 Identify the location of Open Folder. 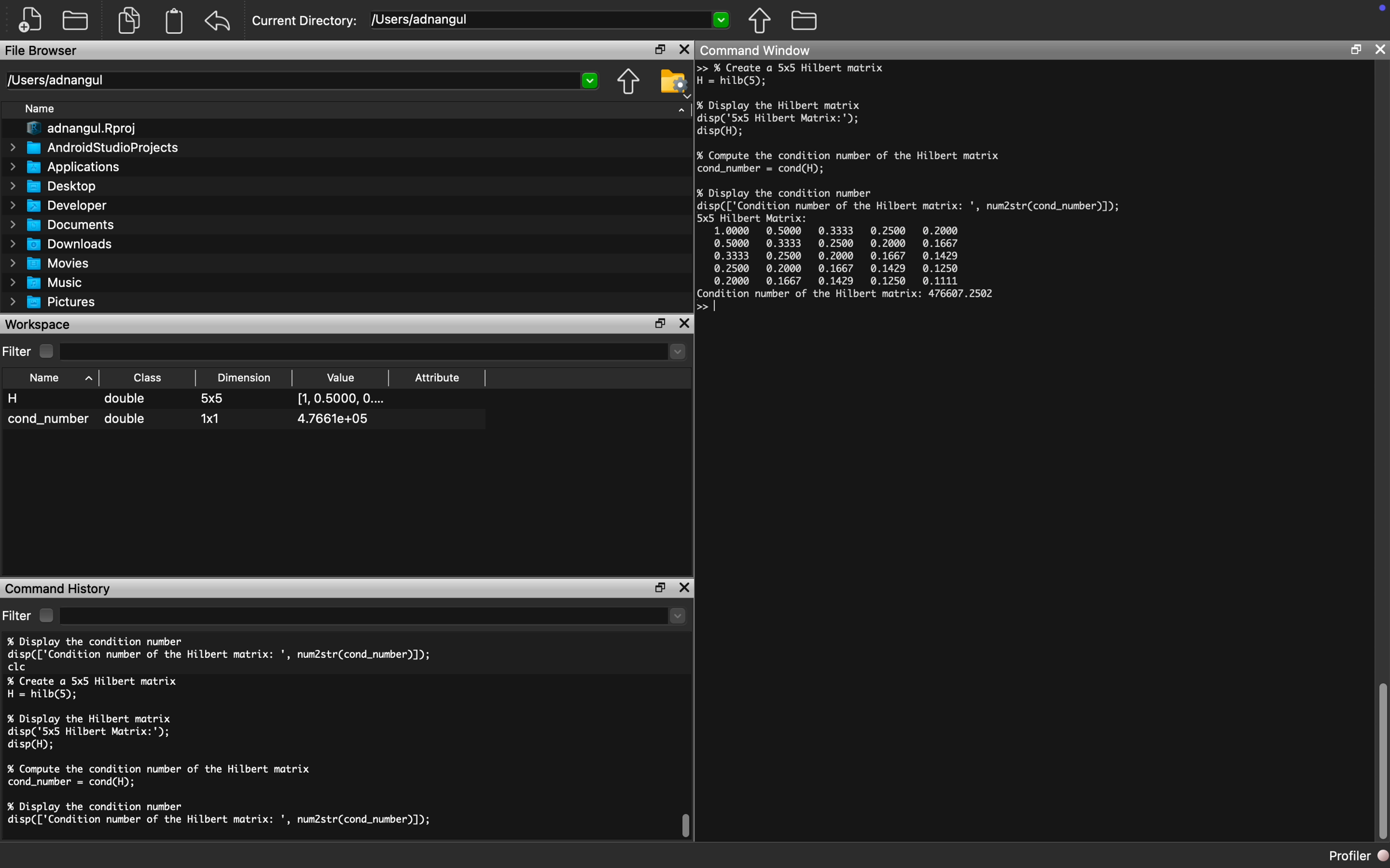
(75, 18).